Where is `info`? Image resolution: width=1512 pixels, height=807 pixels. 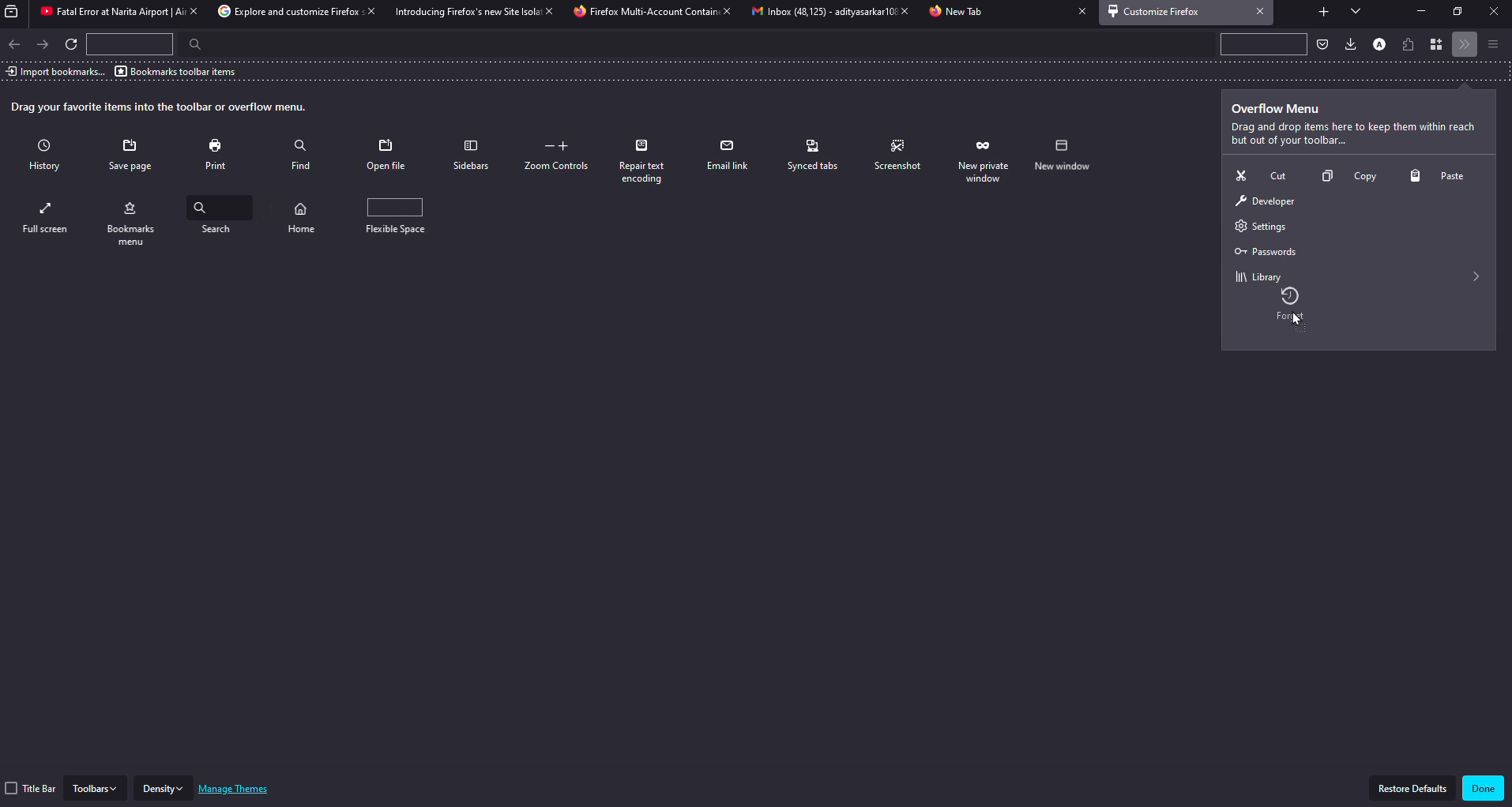 info is located at coordinates (1352, 135).